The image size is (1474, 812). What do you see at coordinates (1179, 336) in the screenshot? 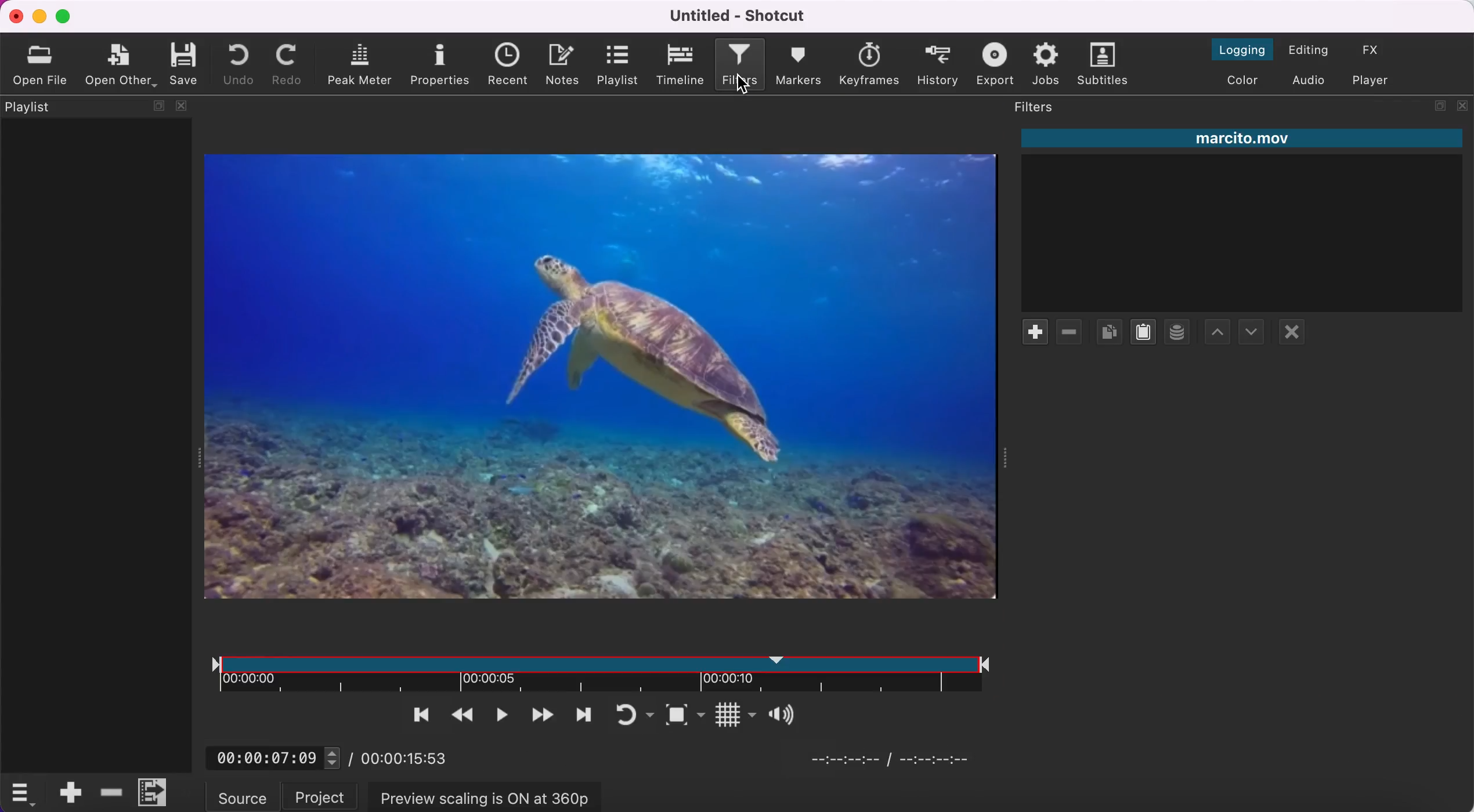
I see `save a filter set` at bounding box center [1179, 336].